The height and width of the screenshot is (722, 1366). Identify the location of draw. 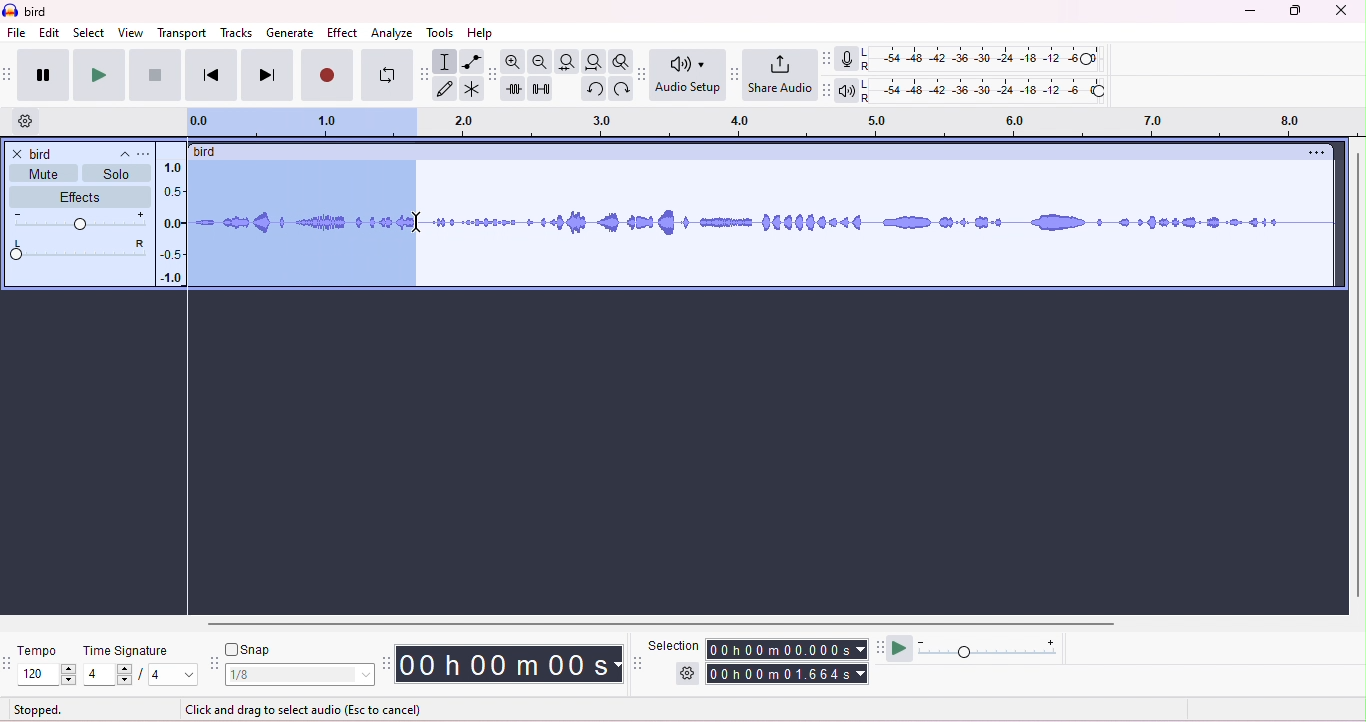
(446, 89).